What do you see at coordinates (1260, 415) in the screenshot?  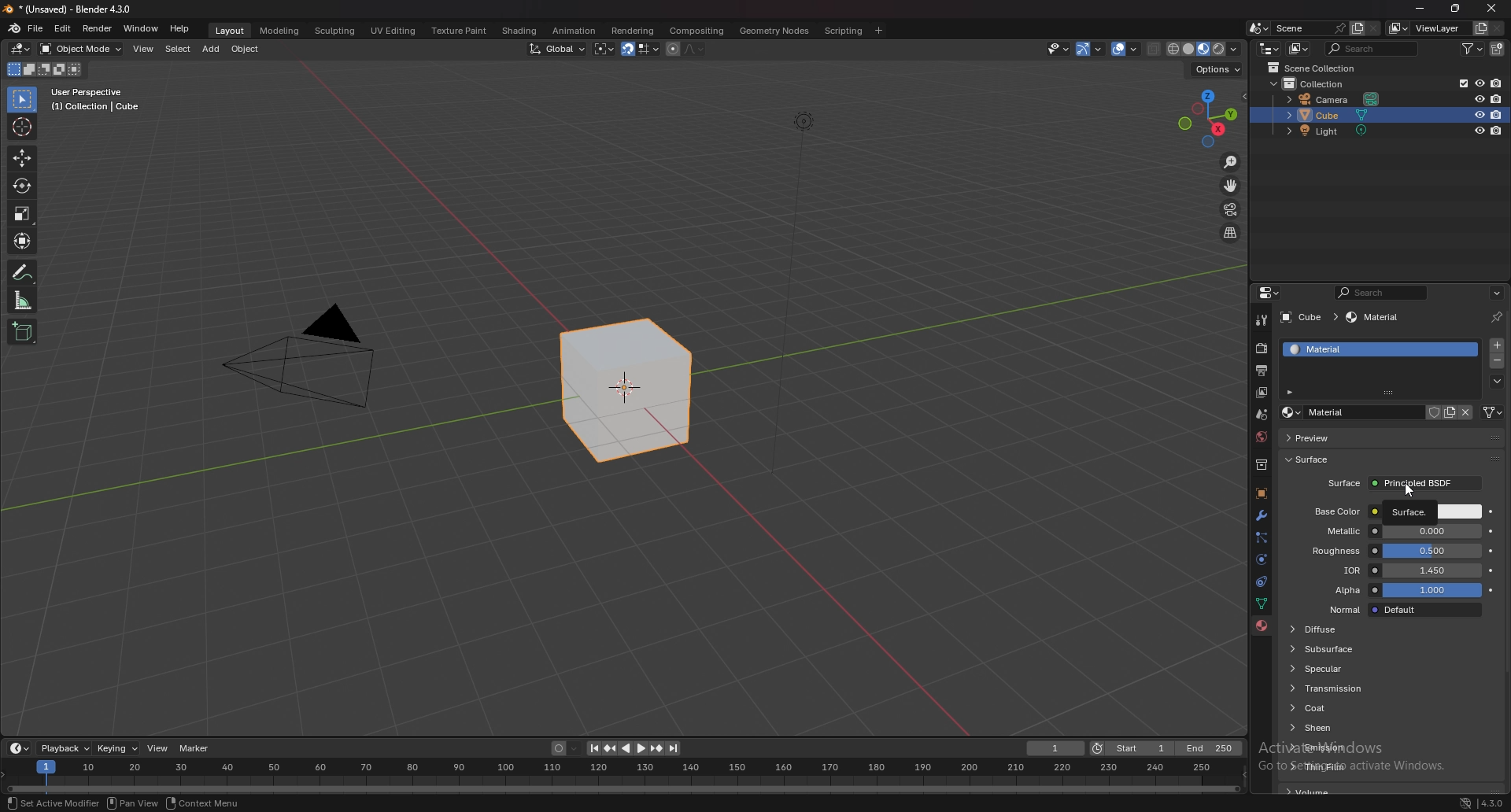 I see `scene` at bounding box center [1260, 415].